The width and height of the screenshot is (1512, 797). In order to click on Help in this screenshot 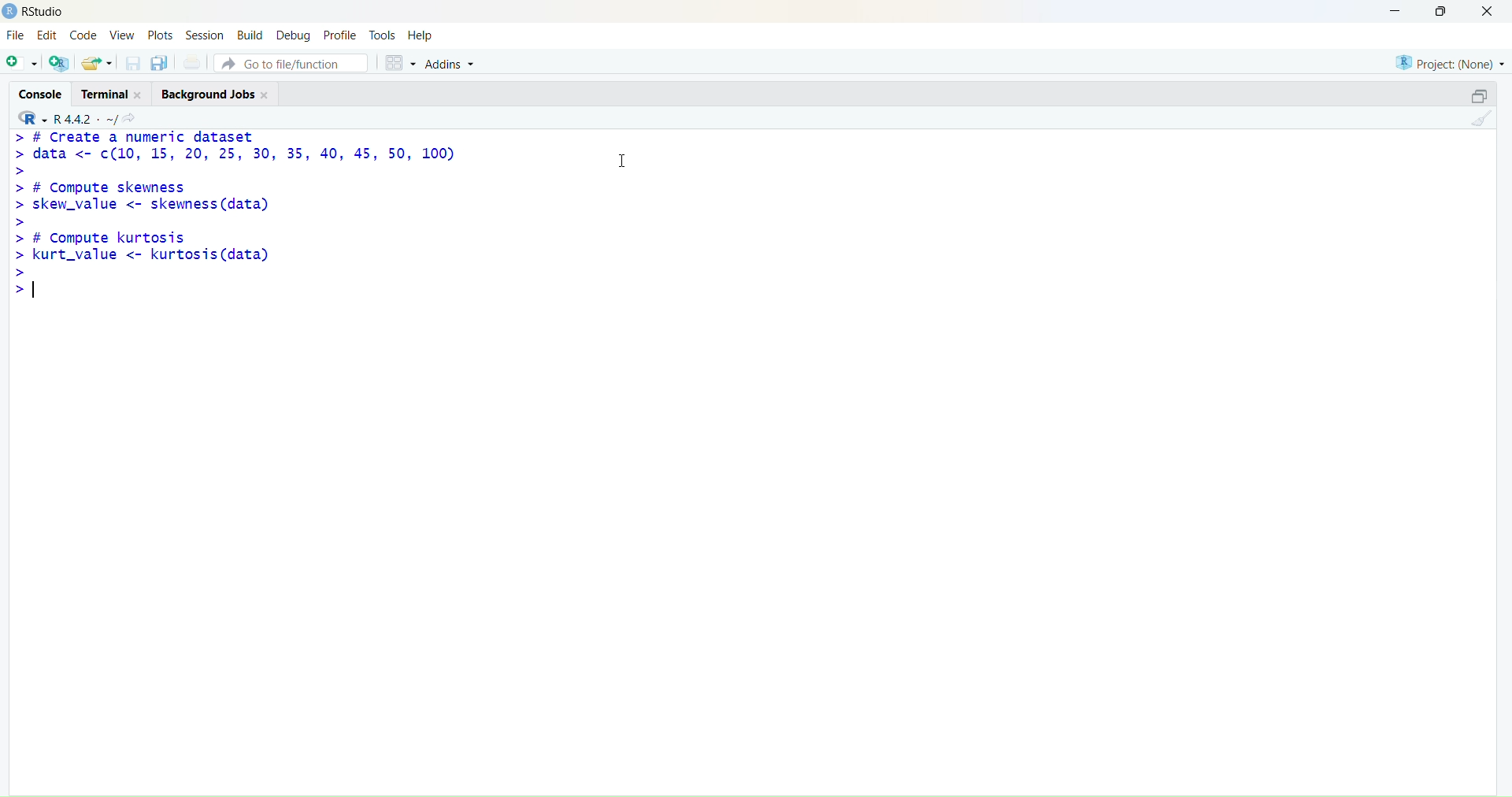, I will do `click(424, 34)`.